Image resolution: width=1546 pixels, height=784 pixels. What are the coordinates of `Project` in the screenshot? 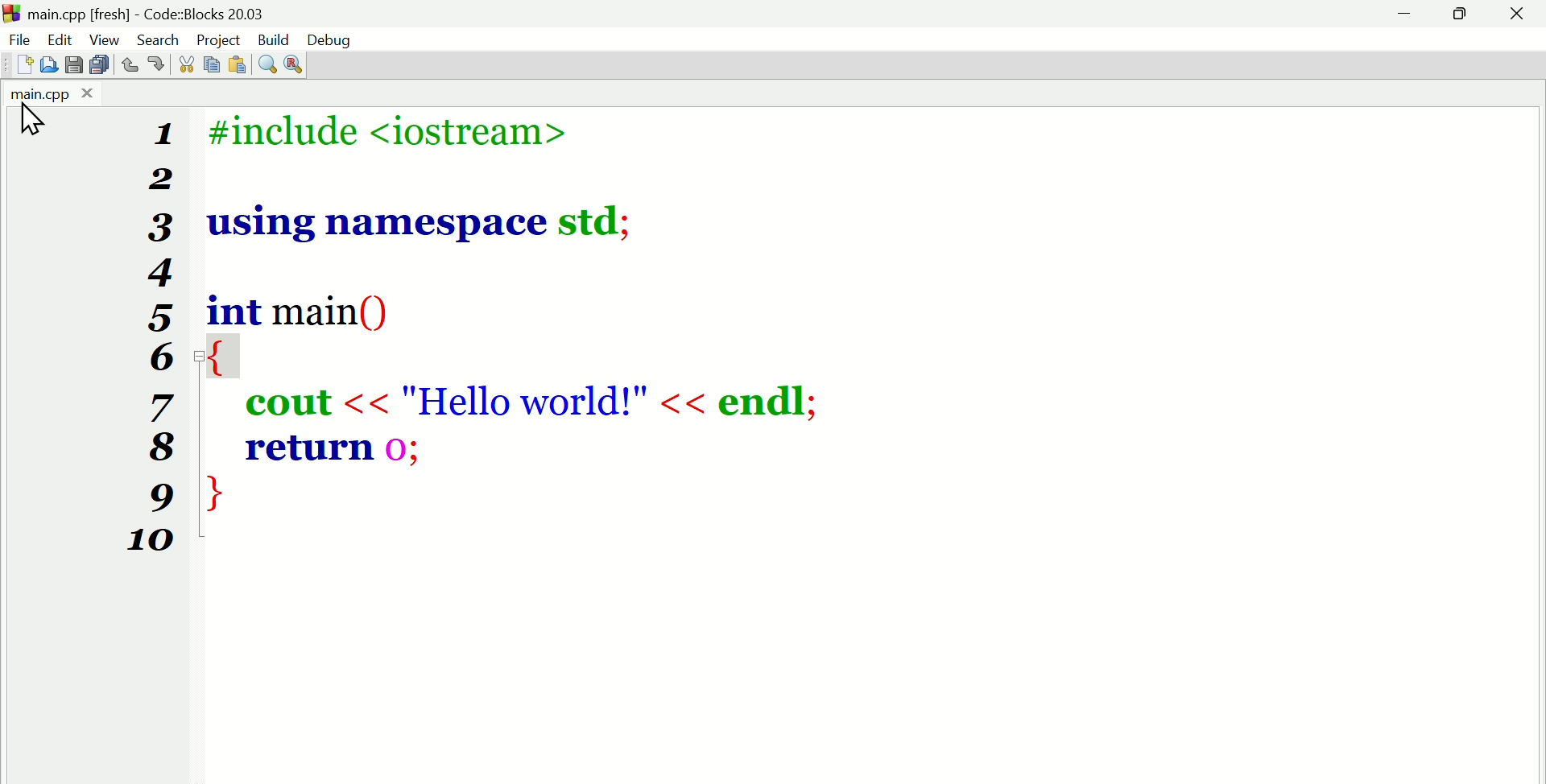 It's located at (220, 39).